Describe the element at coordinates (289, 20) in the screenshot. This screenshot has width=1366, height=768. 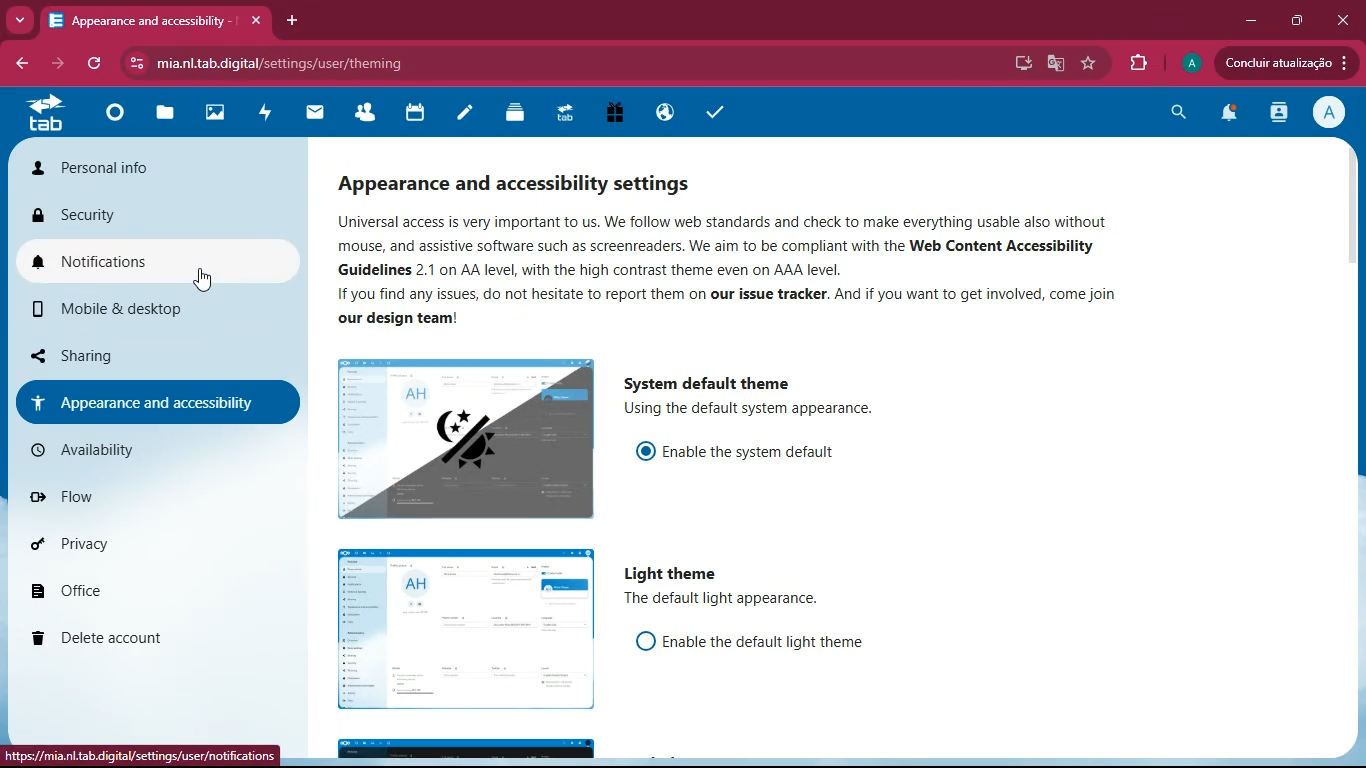
I see `add tab` at that location.